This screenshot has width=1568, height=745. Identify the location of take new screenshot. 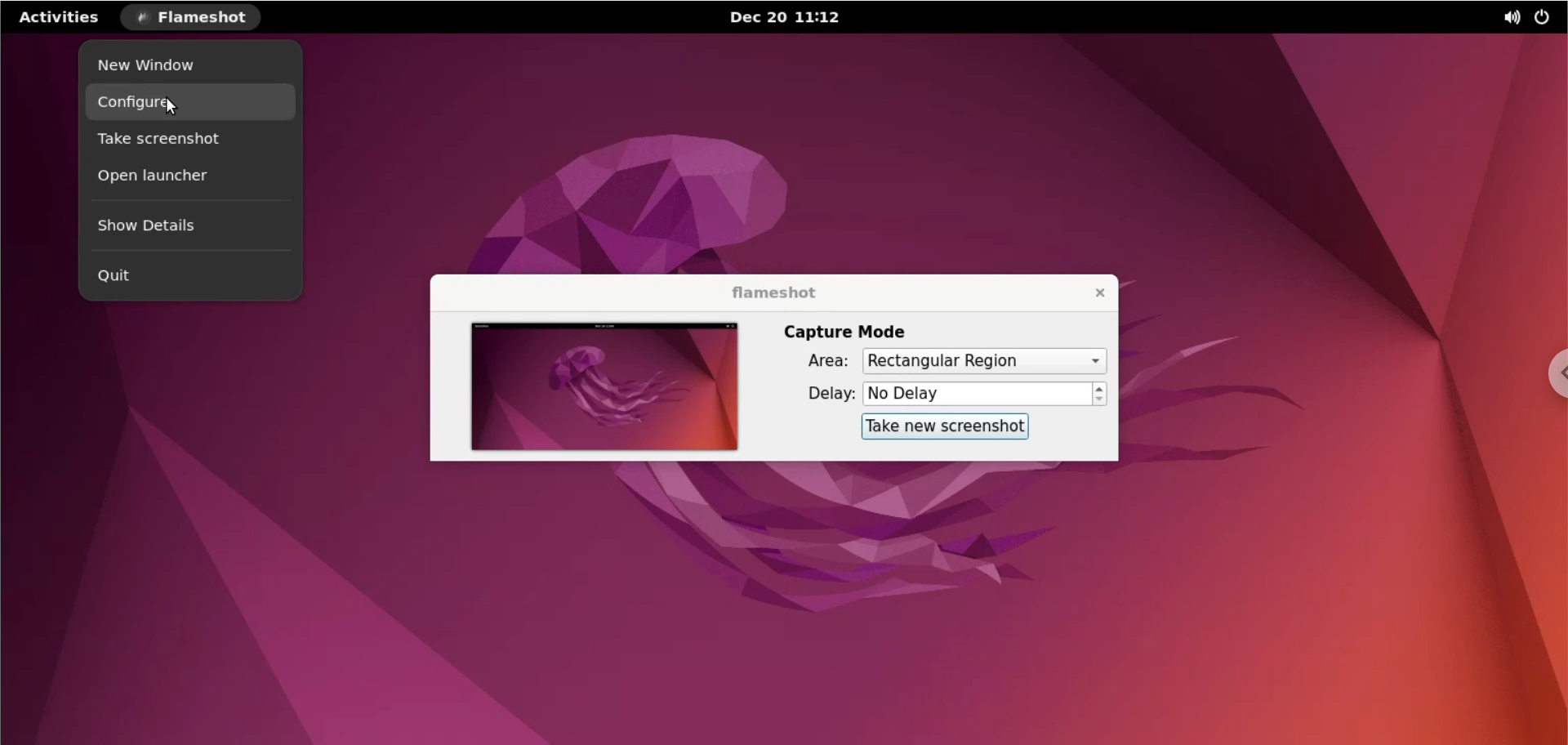
(945, 428).